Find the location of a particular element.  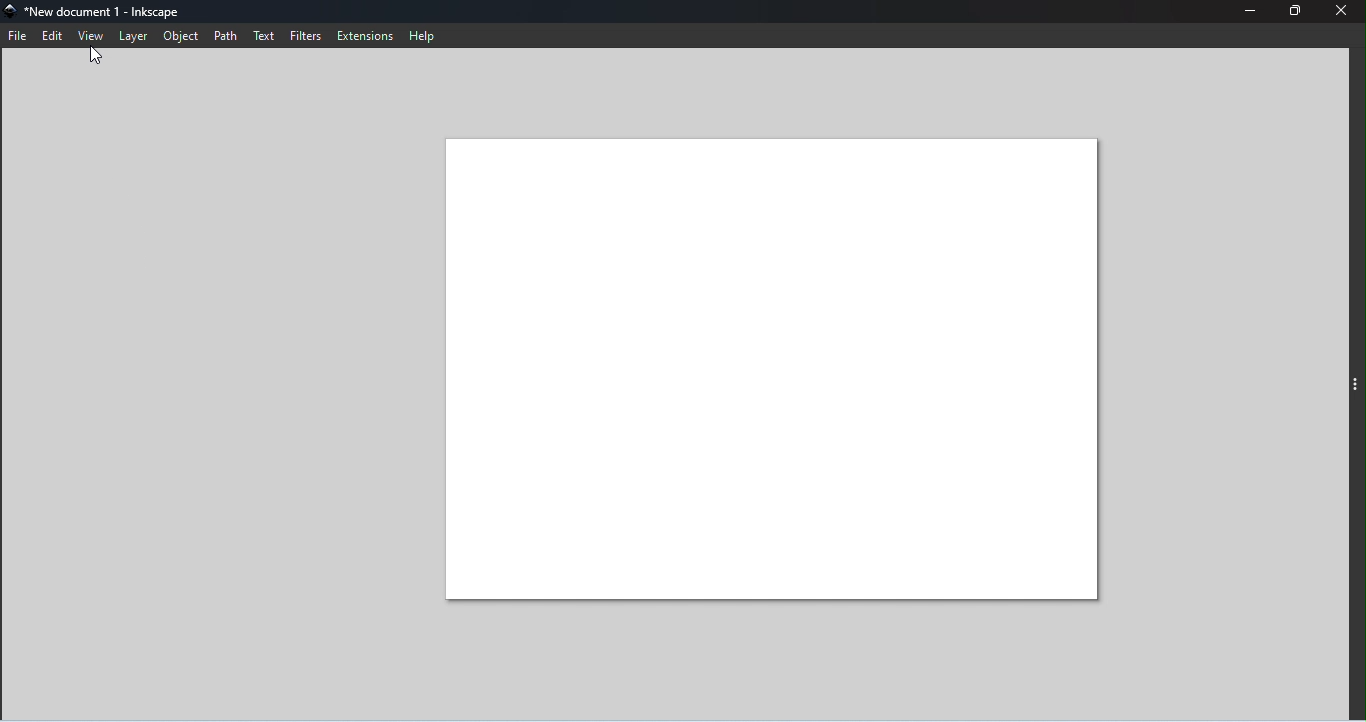

Extensions is located at coordinates (368, 36).